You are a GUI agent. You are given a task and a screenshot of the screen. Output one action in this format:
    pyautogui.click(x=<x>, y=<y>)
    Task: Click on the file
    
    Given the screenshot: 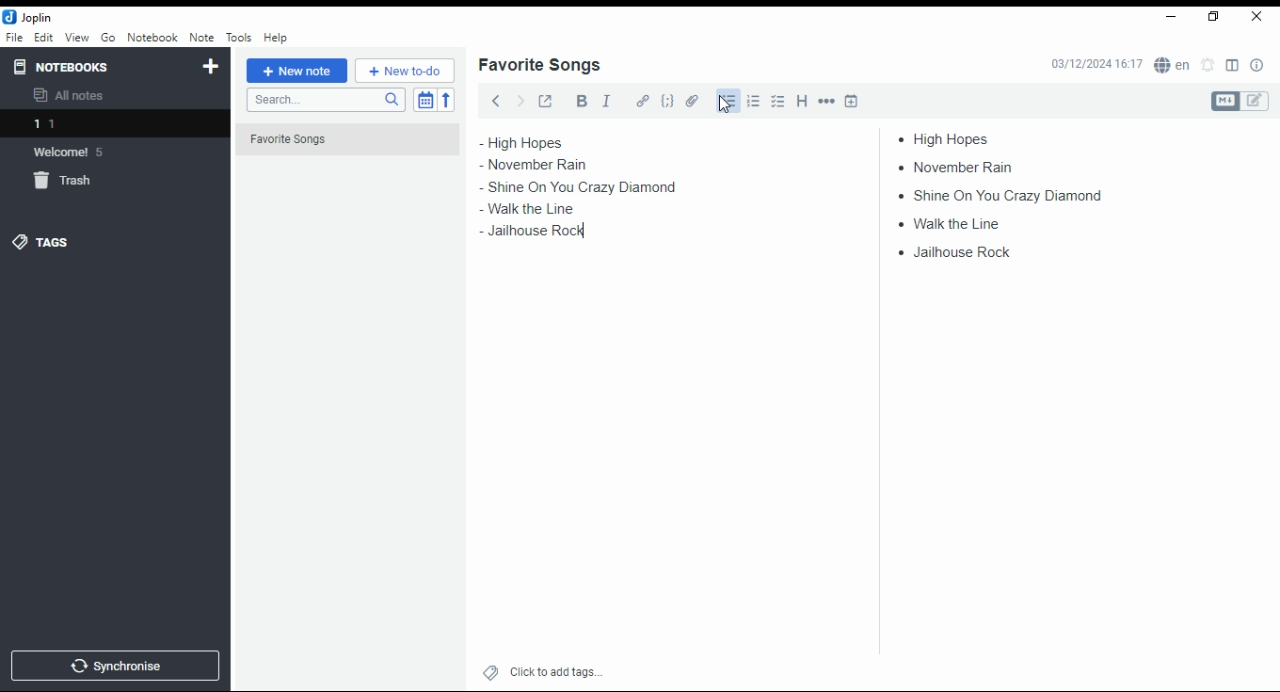 What is the action you would take?
    pyautogui.click(x=14, y=36)
    